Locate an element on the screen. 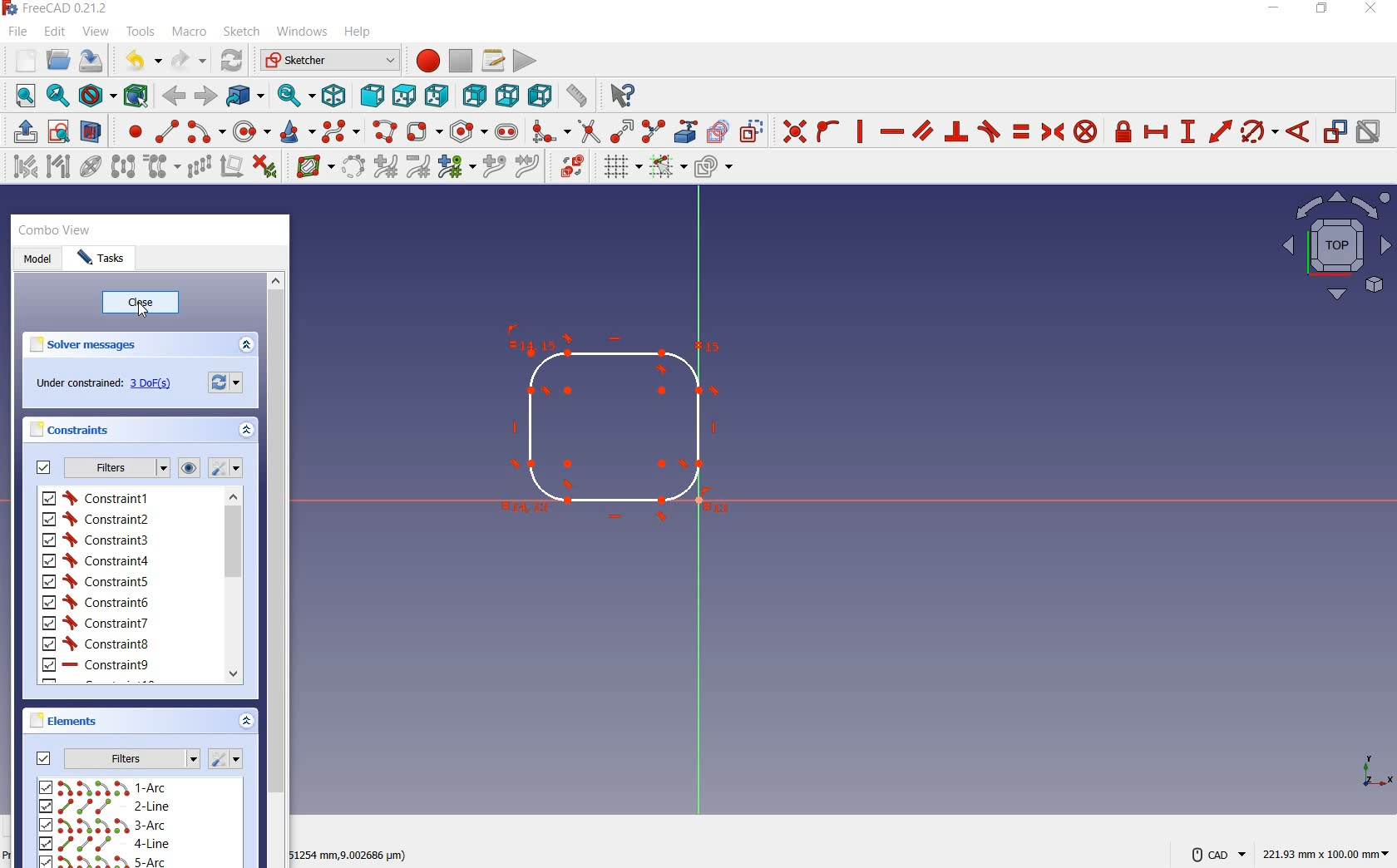  file is located at coordinates (17, 32).